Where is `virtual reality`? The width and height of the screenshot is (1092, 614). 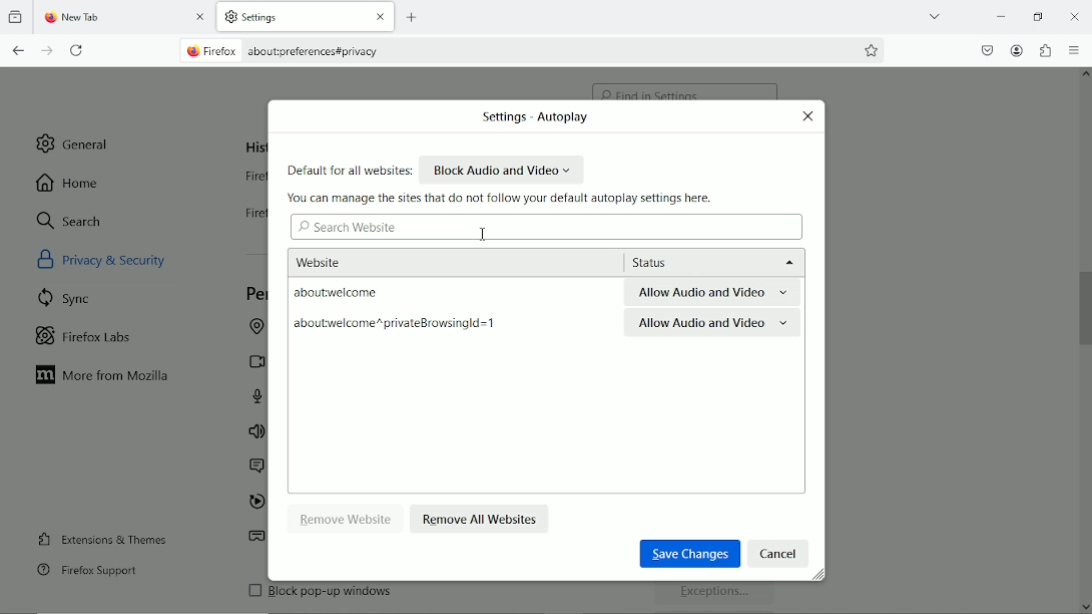 virtual reality is located at coordinates (257, 539).